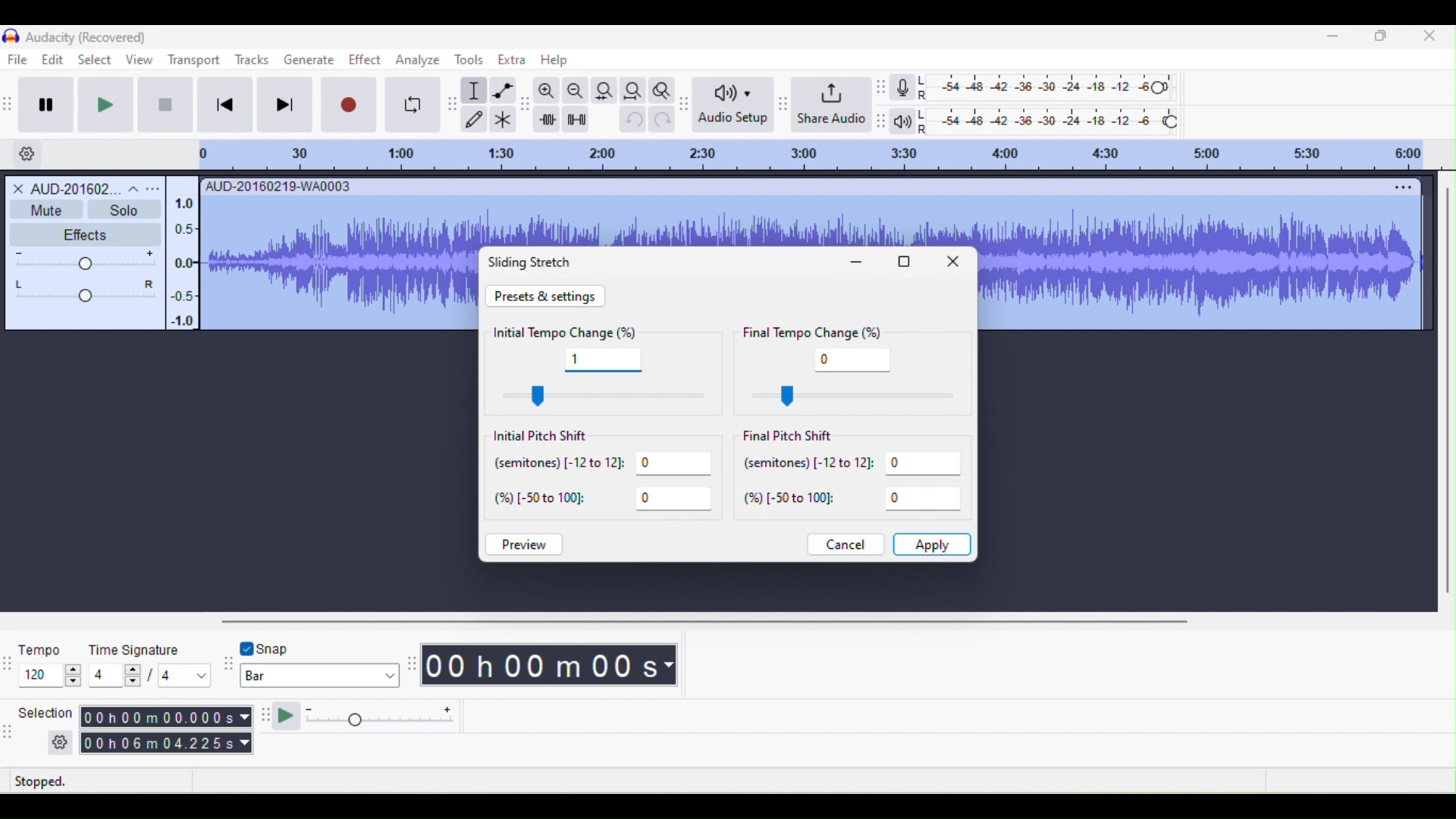  I want to click on AUD-20160219-WA0003, so click(281, 185).